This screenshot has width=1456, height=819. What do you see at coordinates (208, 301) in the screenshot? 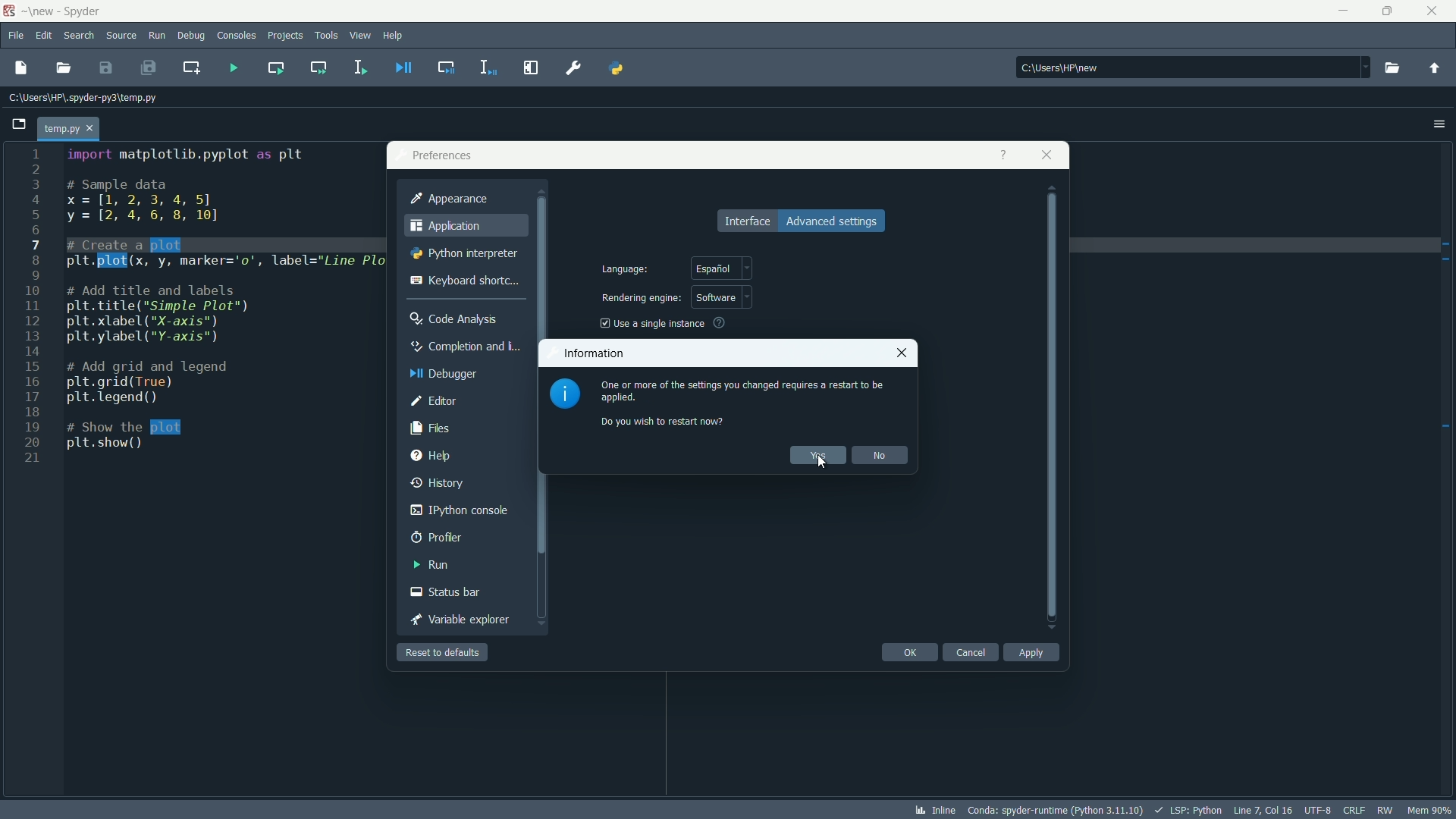
I see `code to create a line plot between x and y variables` at bounding box center [208, 301].